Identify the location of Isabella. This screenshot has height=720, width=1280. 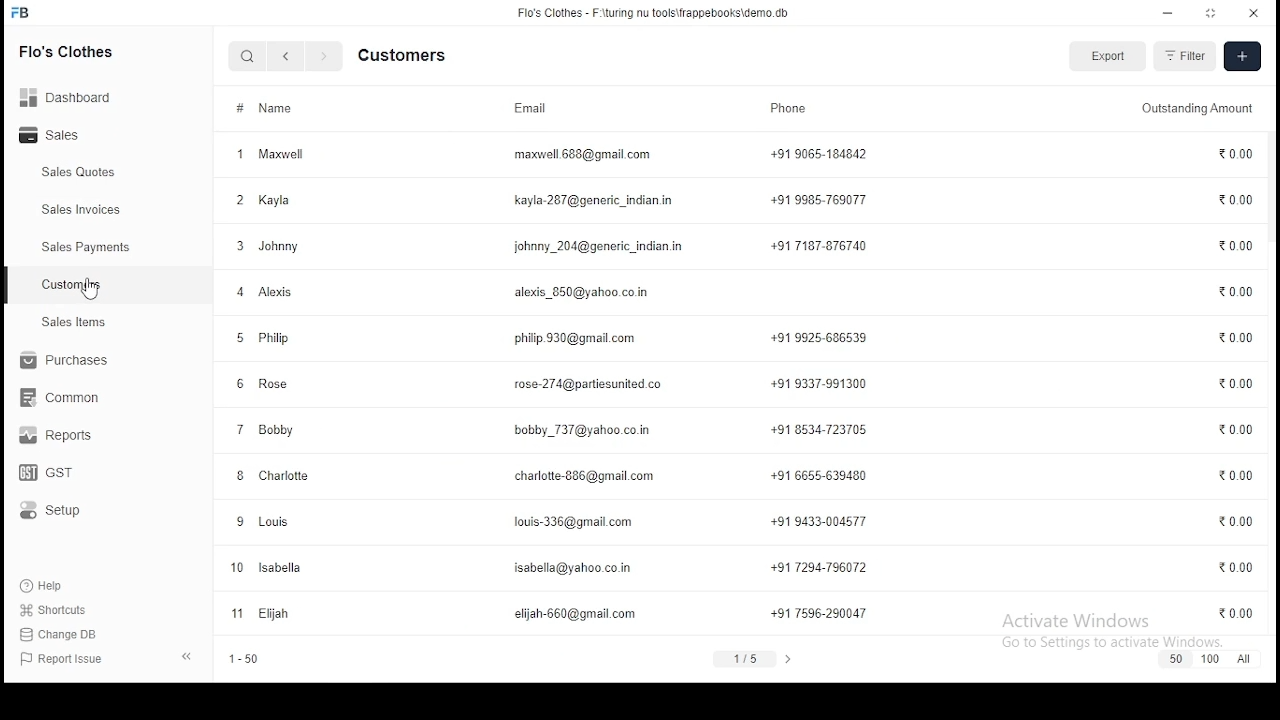
(280, 568).